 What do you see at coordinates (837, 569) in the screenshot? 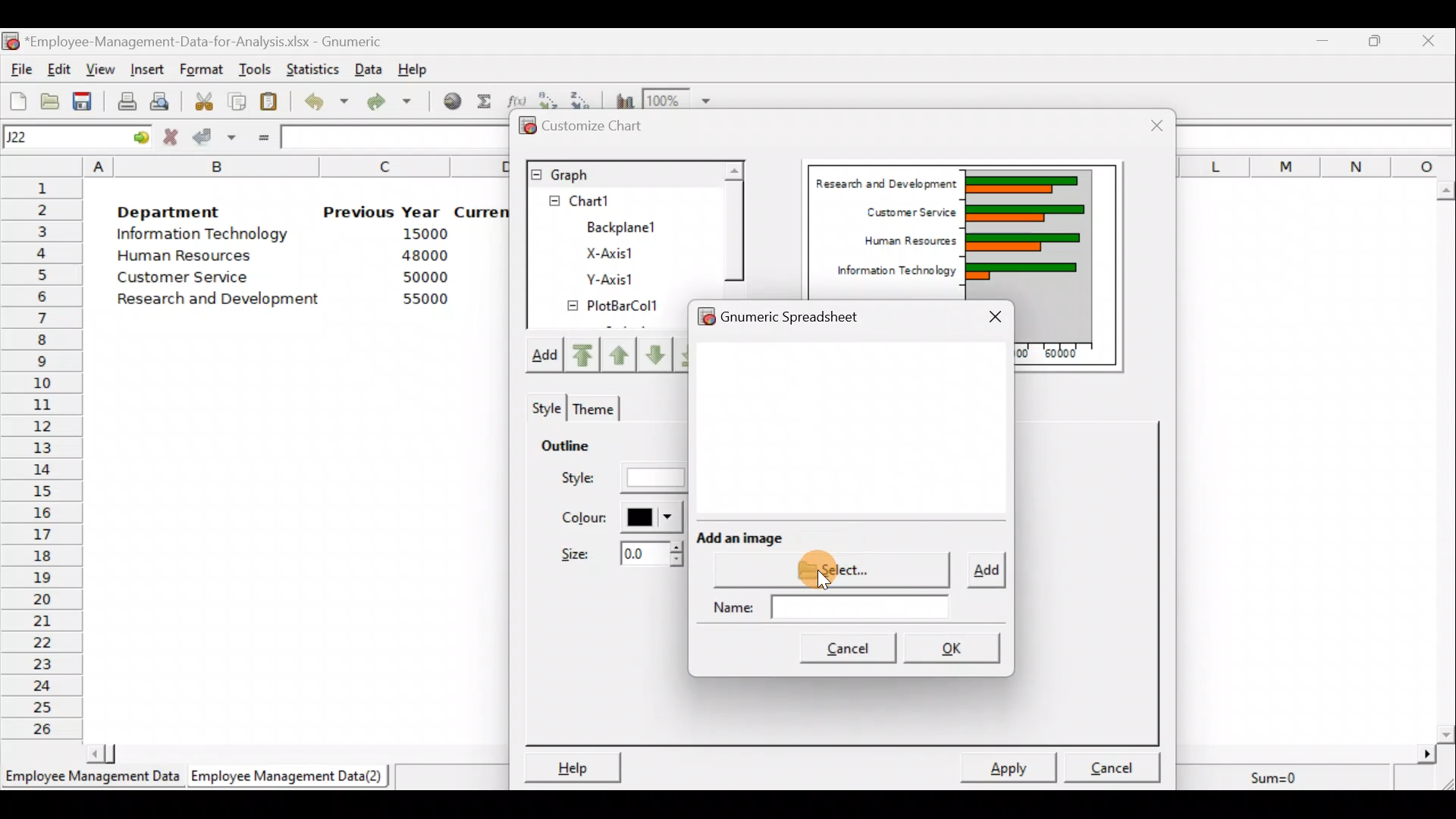
I see `Select` at bounding box center [837, 569].